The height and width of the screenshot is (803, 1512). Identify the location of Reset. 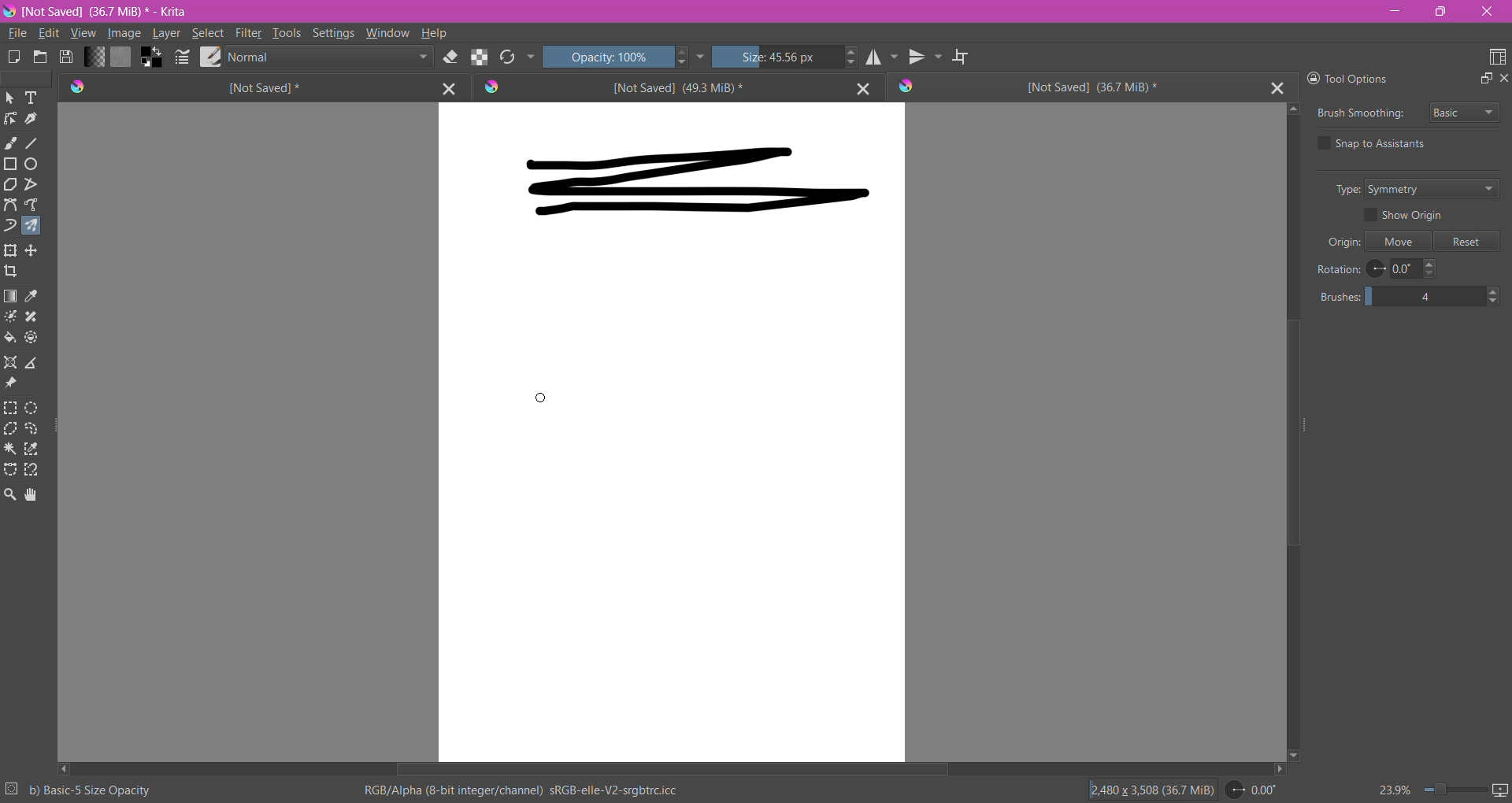
(1466, 242).